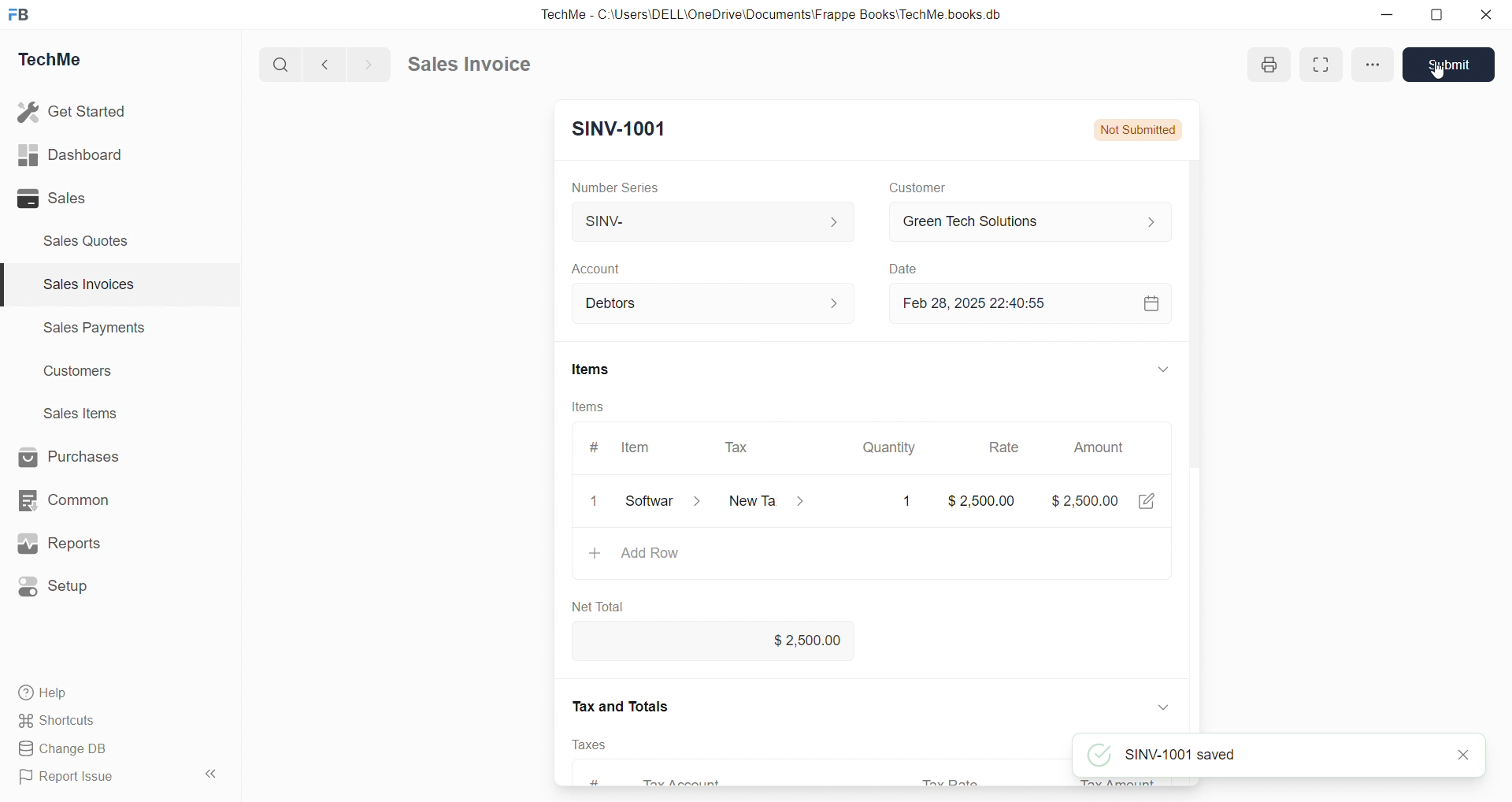 Image resolution: width=1512 pixels, height=802 pixels. Describe the element at coordinates (1438, 71) in the screenshot. I see `cursor` at that location.